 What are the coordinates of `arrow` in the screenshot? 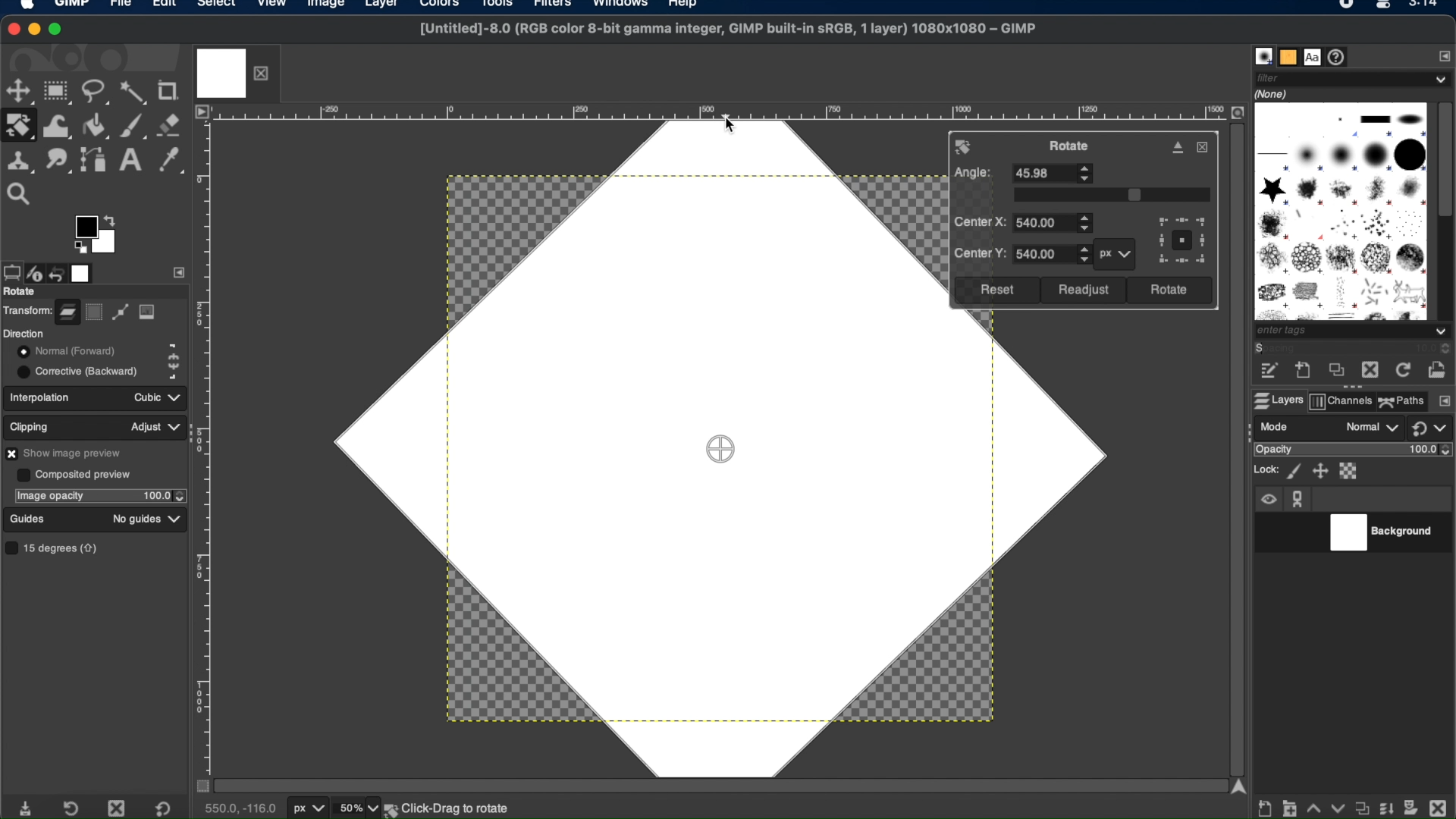 It's located at (112, 218).